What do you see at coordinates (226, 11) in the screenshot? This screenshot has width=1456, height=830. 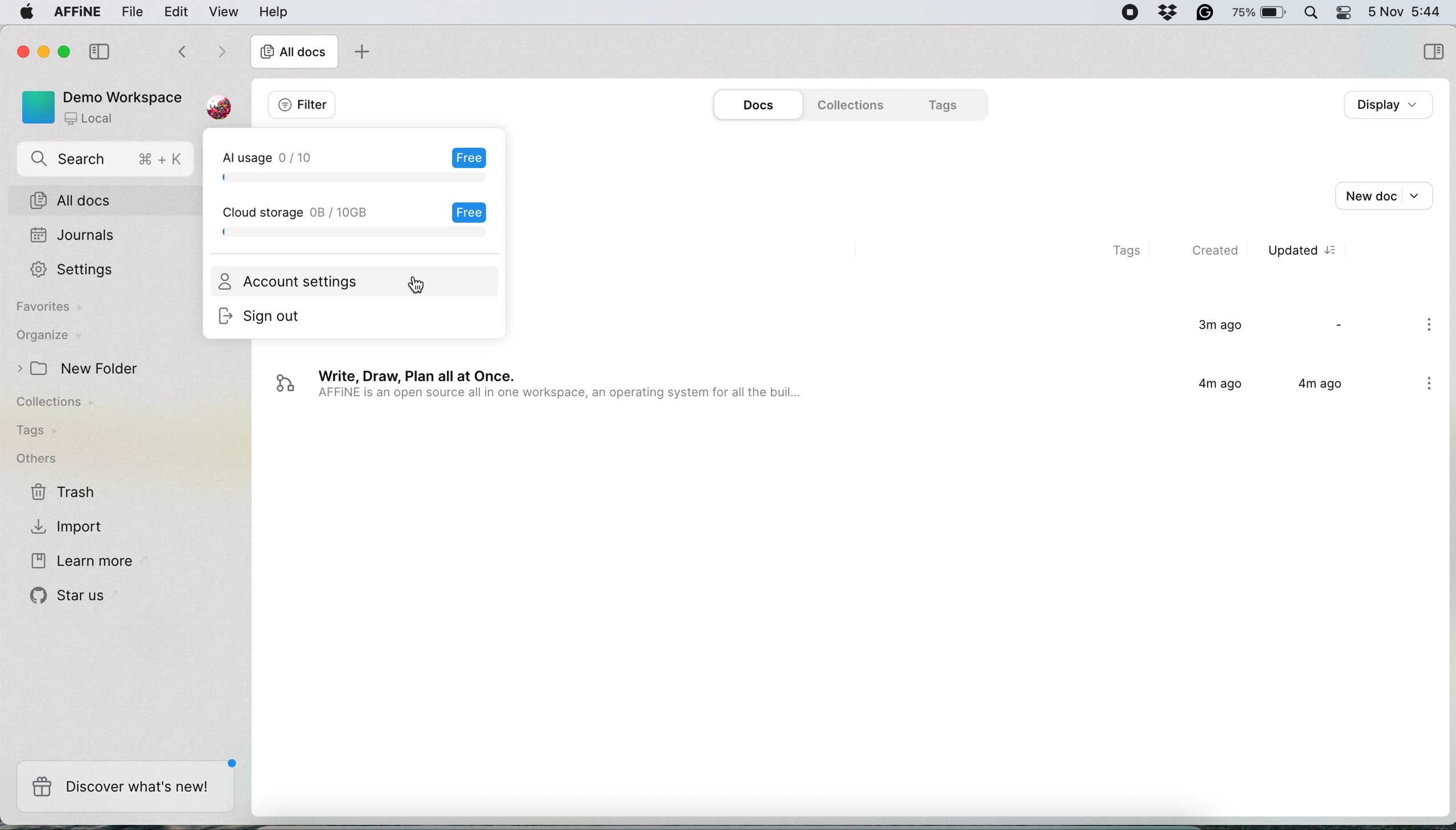 I see `view` at bounding box center [226, 11].